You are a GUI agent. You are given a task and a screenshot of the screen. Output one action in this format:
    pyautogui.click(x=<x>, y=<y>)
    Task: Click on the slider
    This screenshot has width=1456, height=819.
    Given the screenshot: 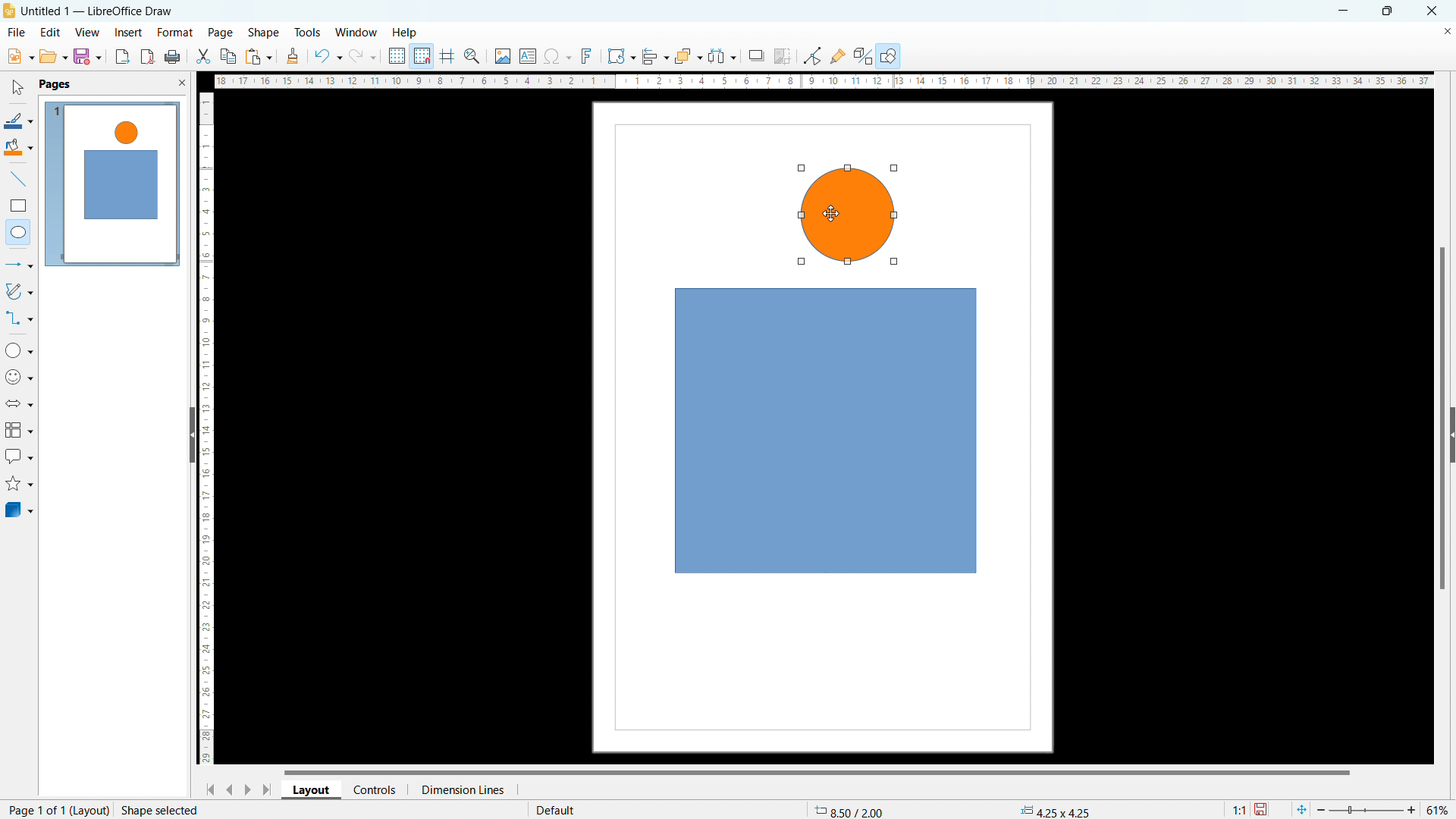 What is the action you would take?
    pyautogui.click(x=1365, y=810)
    